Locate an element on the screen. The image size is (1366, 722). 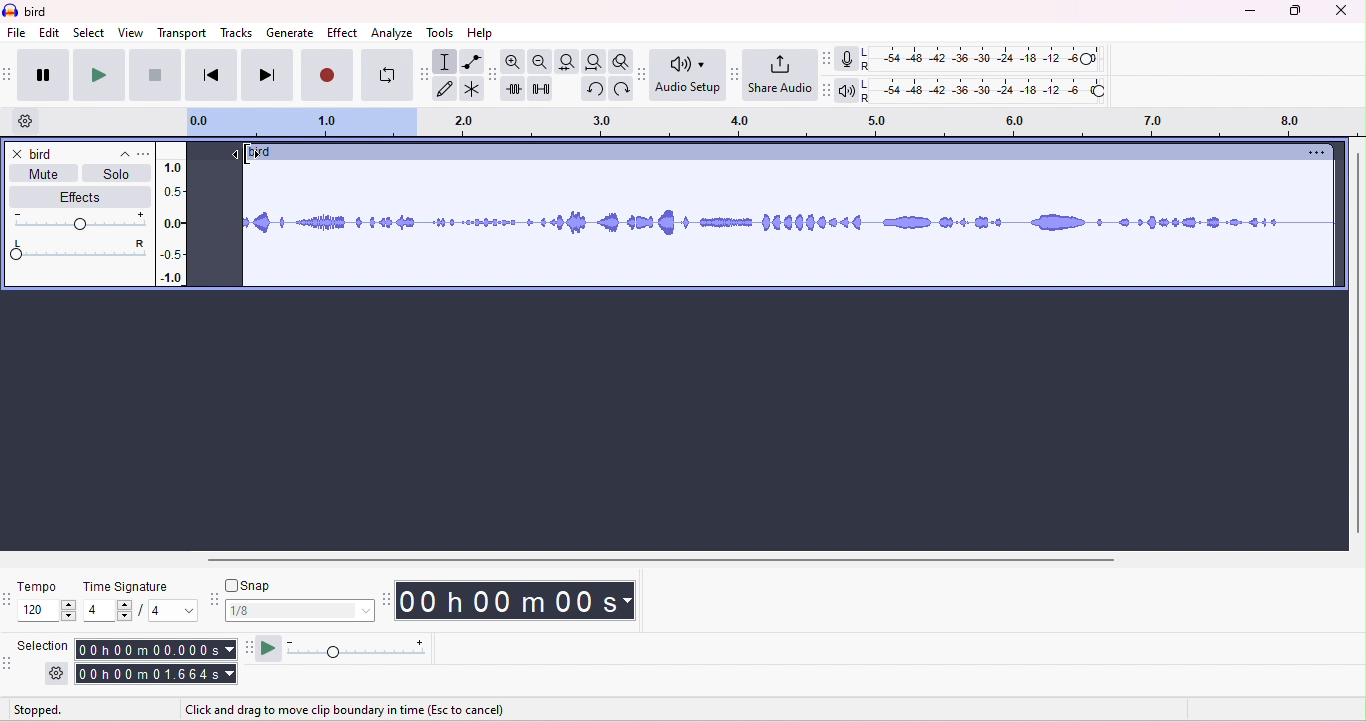
select snap is located at coordinates (301, 610).